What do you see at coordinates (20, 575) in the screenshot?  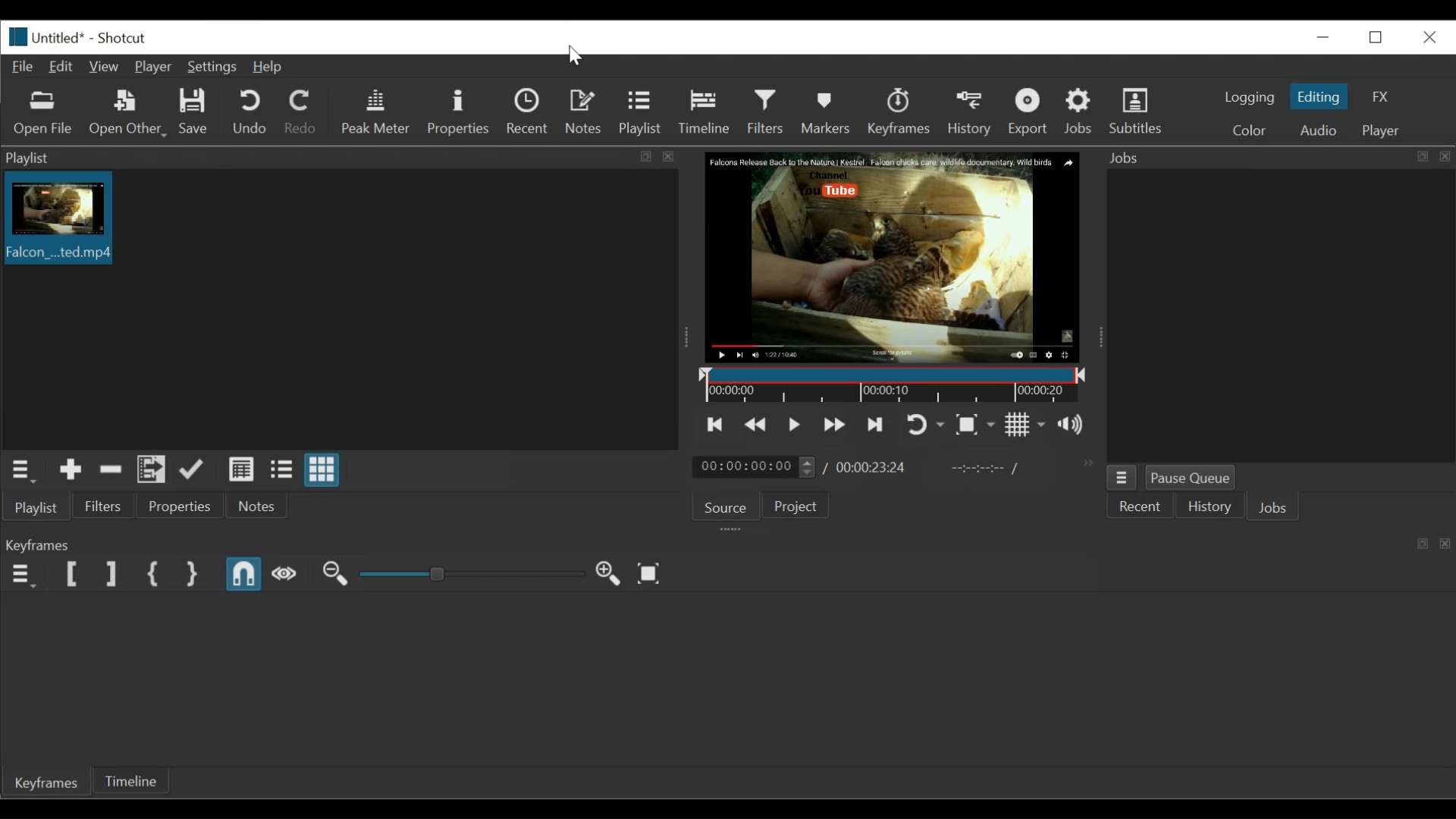 I see `Keyframe menu` at bounding box center [20, 575].